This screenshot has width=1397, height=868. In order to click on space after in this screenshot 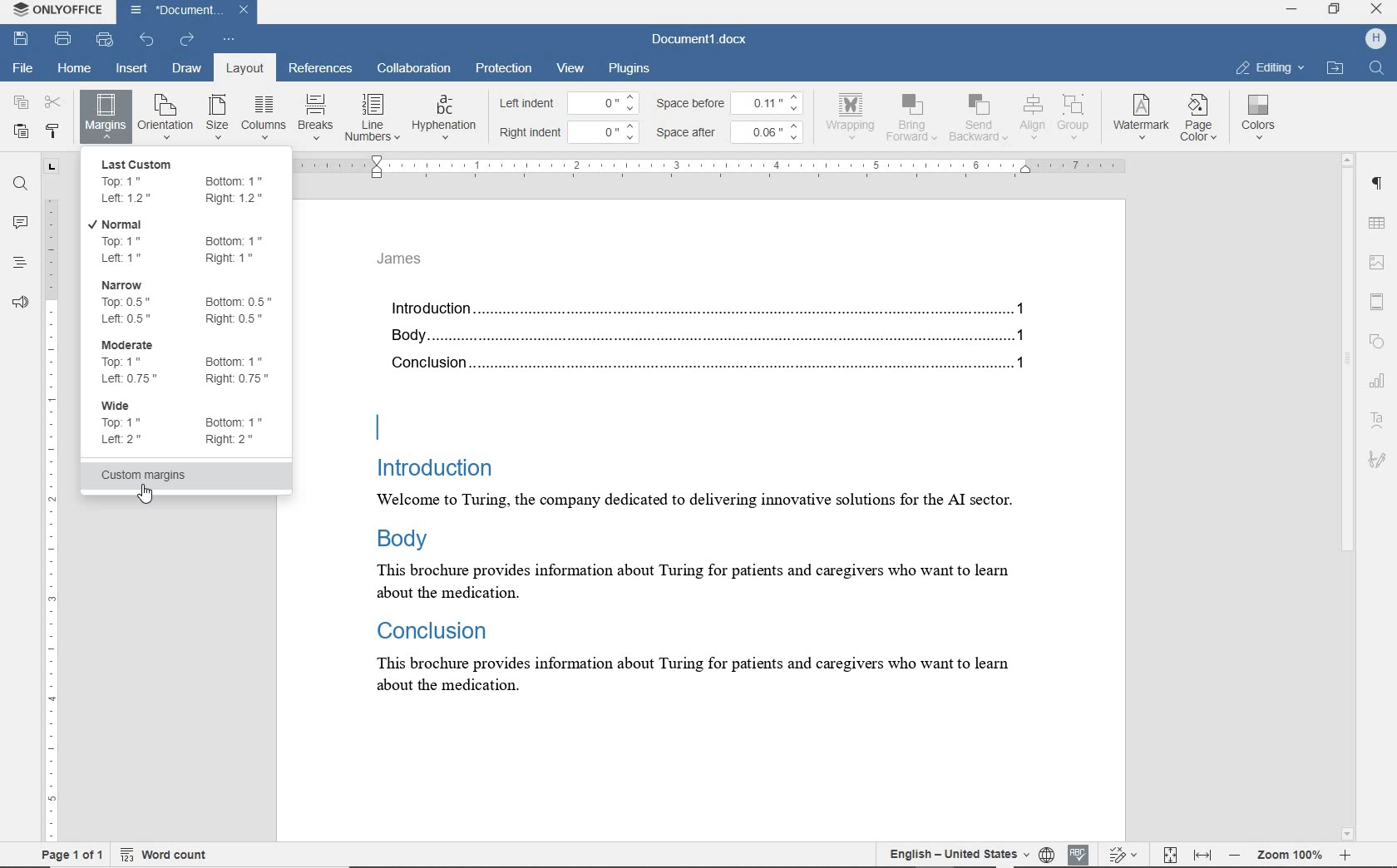, I will do `click(690, 133)`.